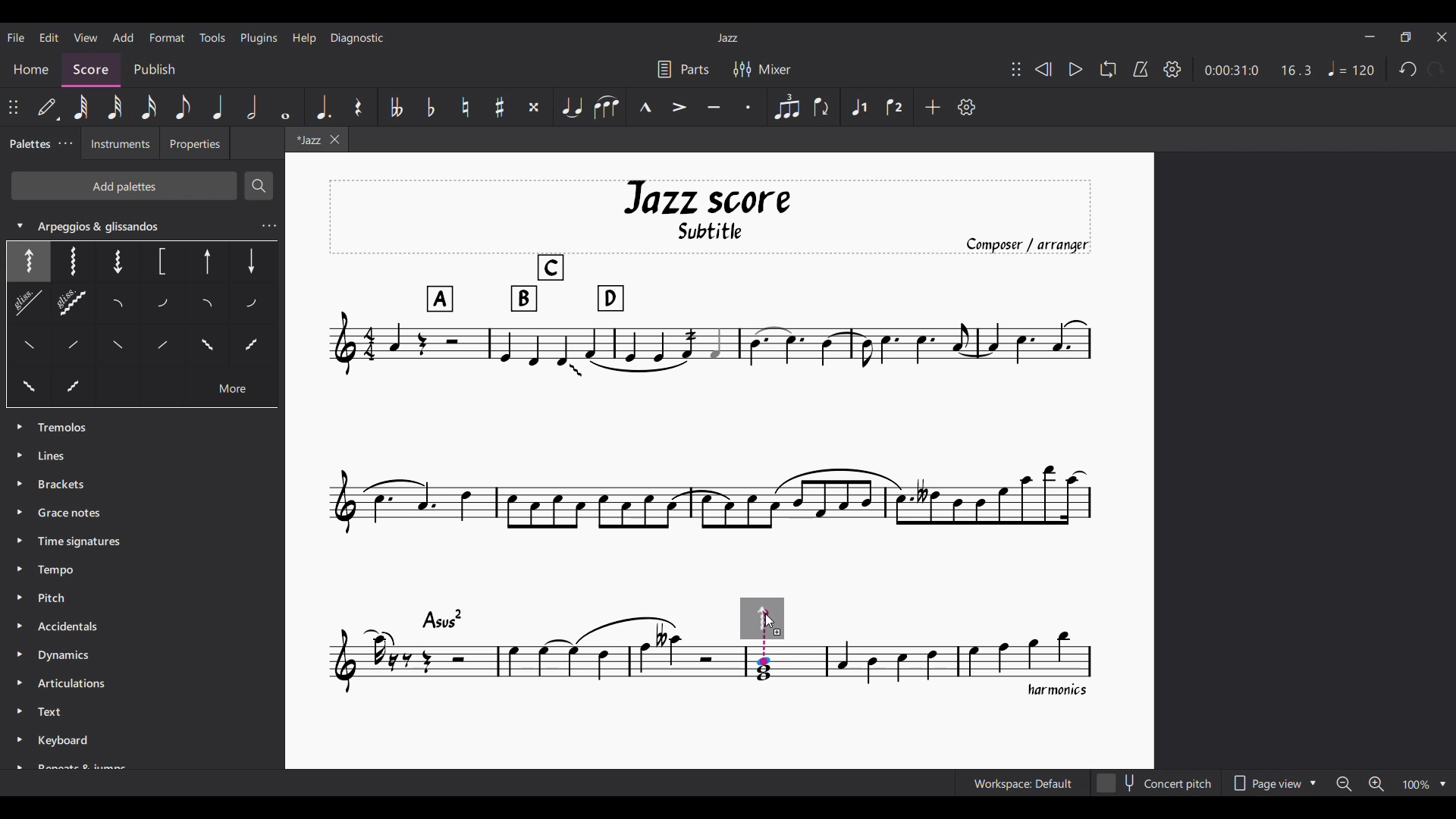 The image size is (1456, 819). I want to click on Half note, so click(252, 106).